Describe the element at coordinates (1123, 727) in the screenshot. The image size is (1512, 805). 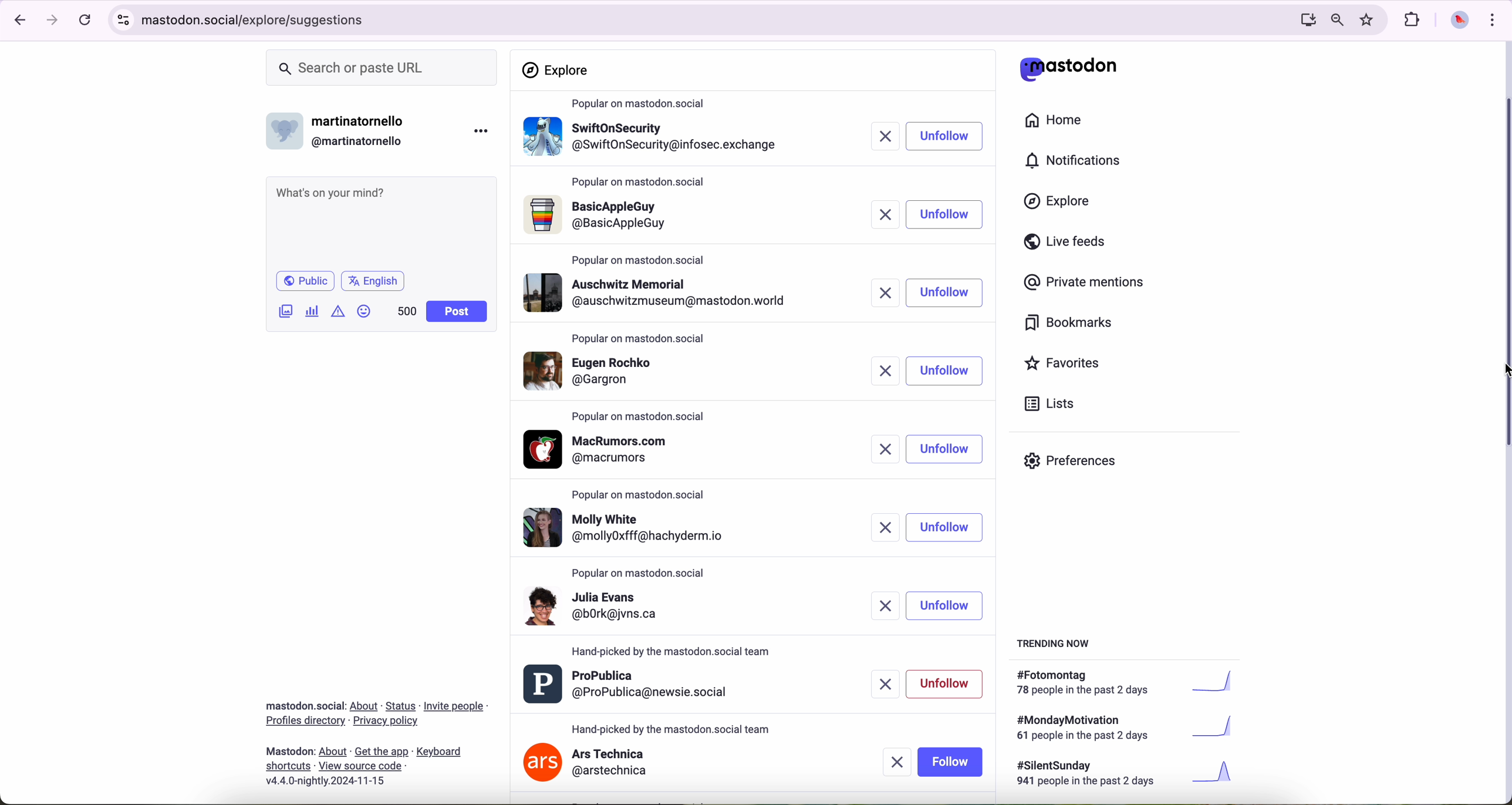
I see `#mondaymotivation` at that location.